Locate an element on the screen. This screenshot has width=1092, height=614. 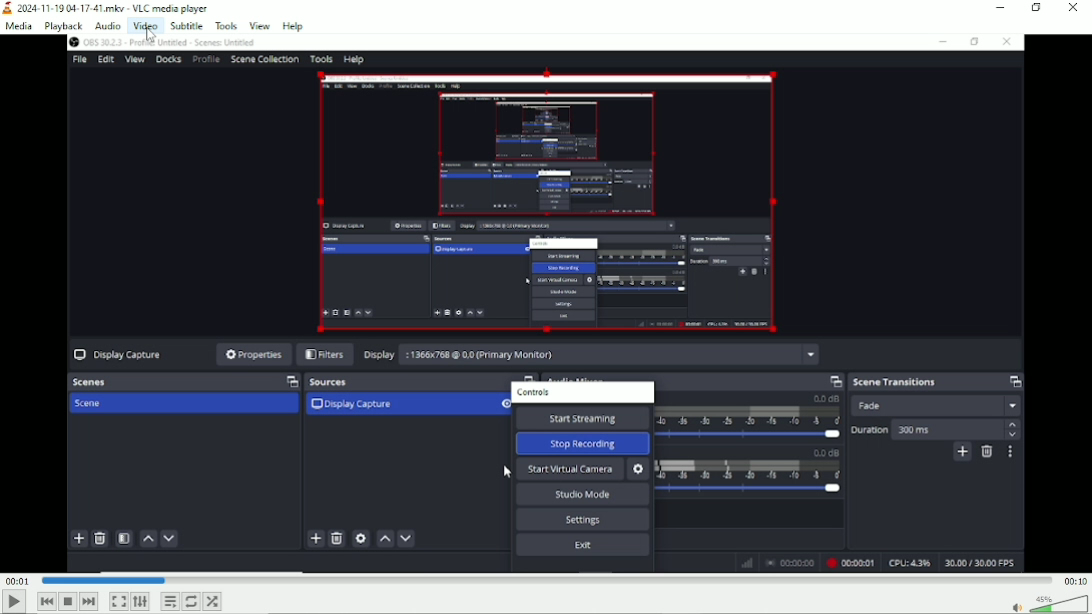
restore down is located at coordinates (1038, 8).